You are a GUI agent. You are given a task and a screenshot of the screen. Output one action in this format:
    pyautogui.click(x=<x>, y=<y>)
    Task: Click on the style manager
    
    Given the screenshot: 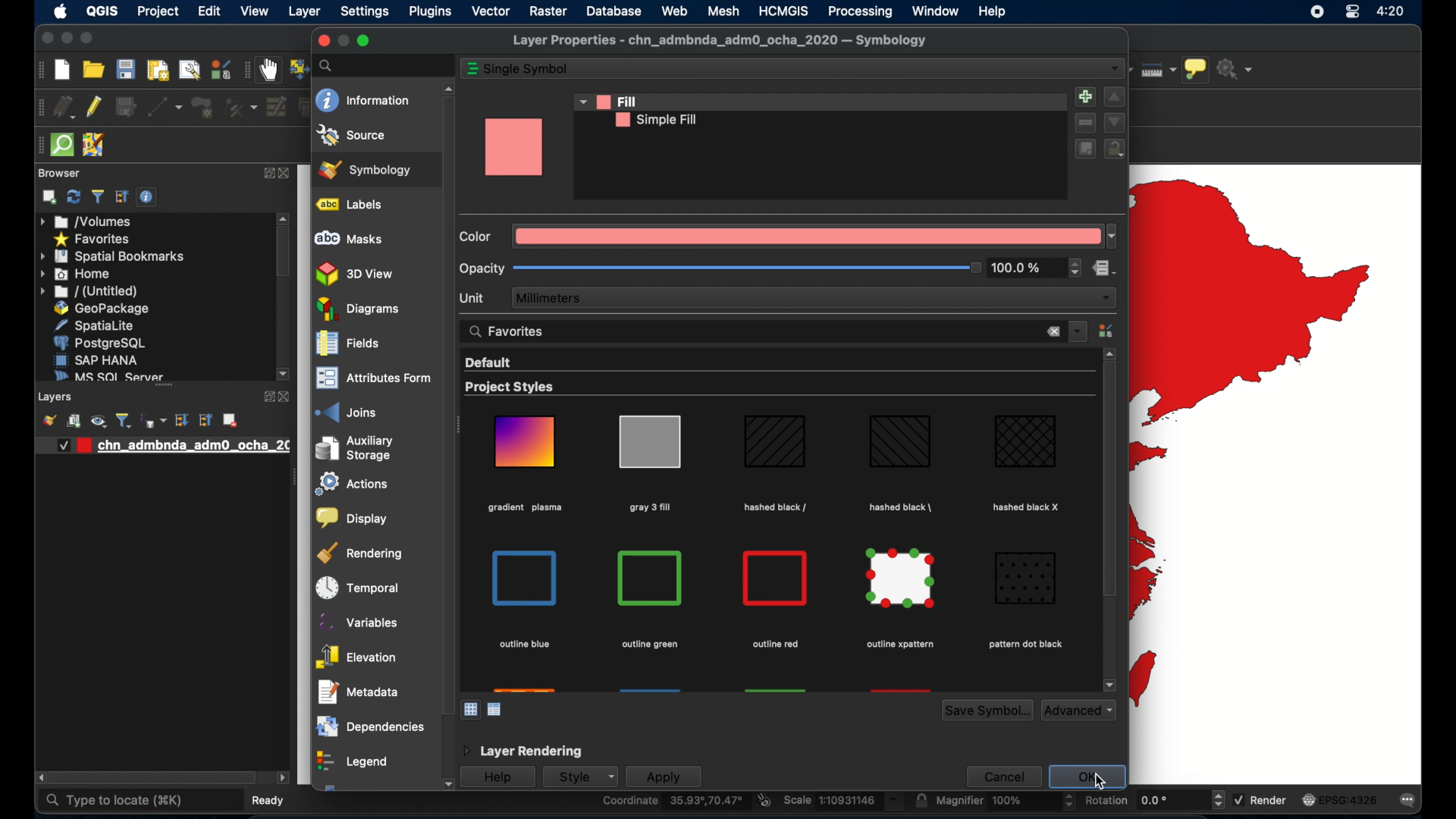 What is the action you would take?
    pyautogui.click(x=1108, y=331)
    